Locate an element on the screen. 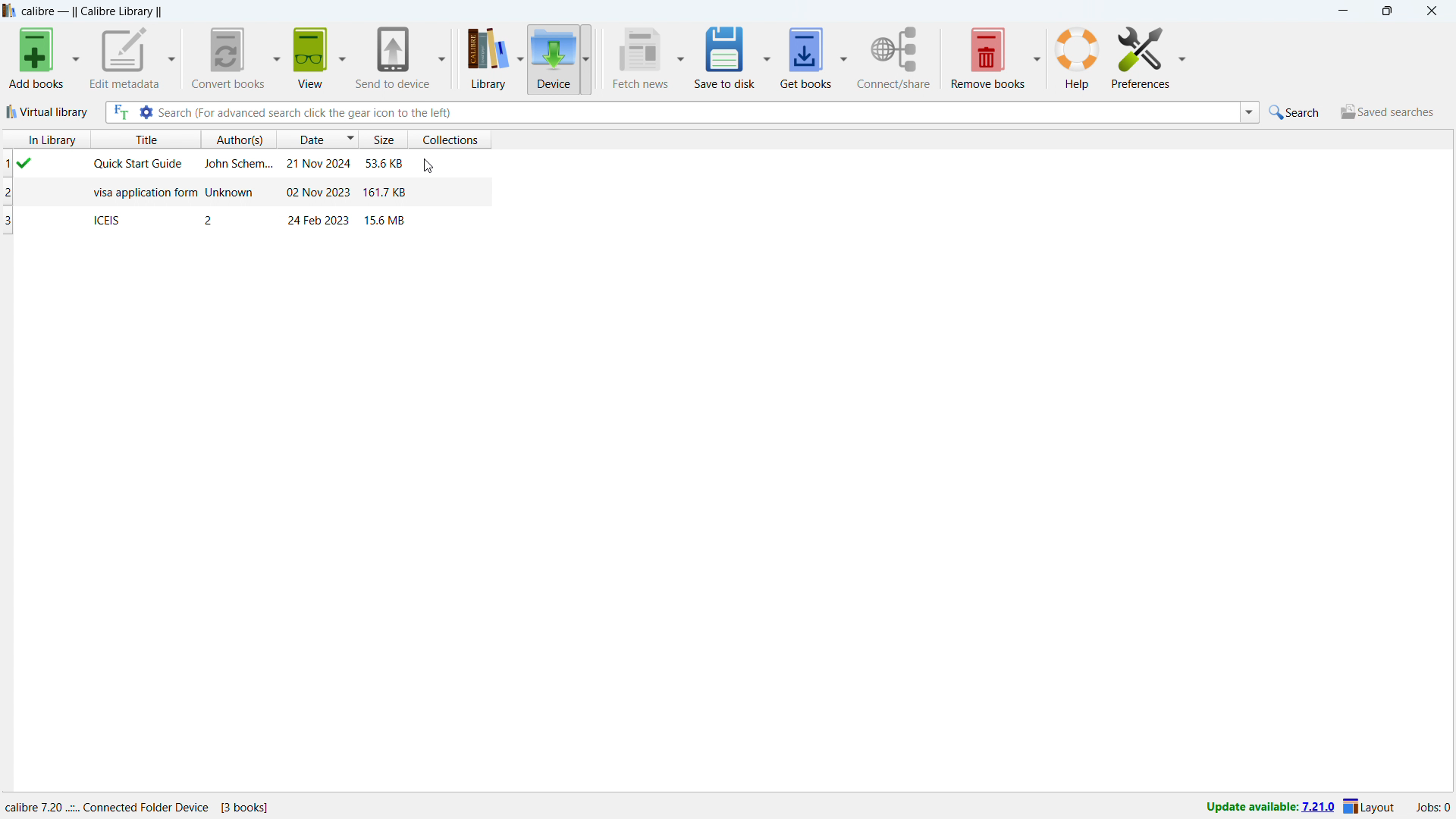  logo is located at coordinates (10, 11).